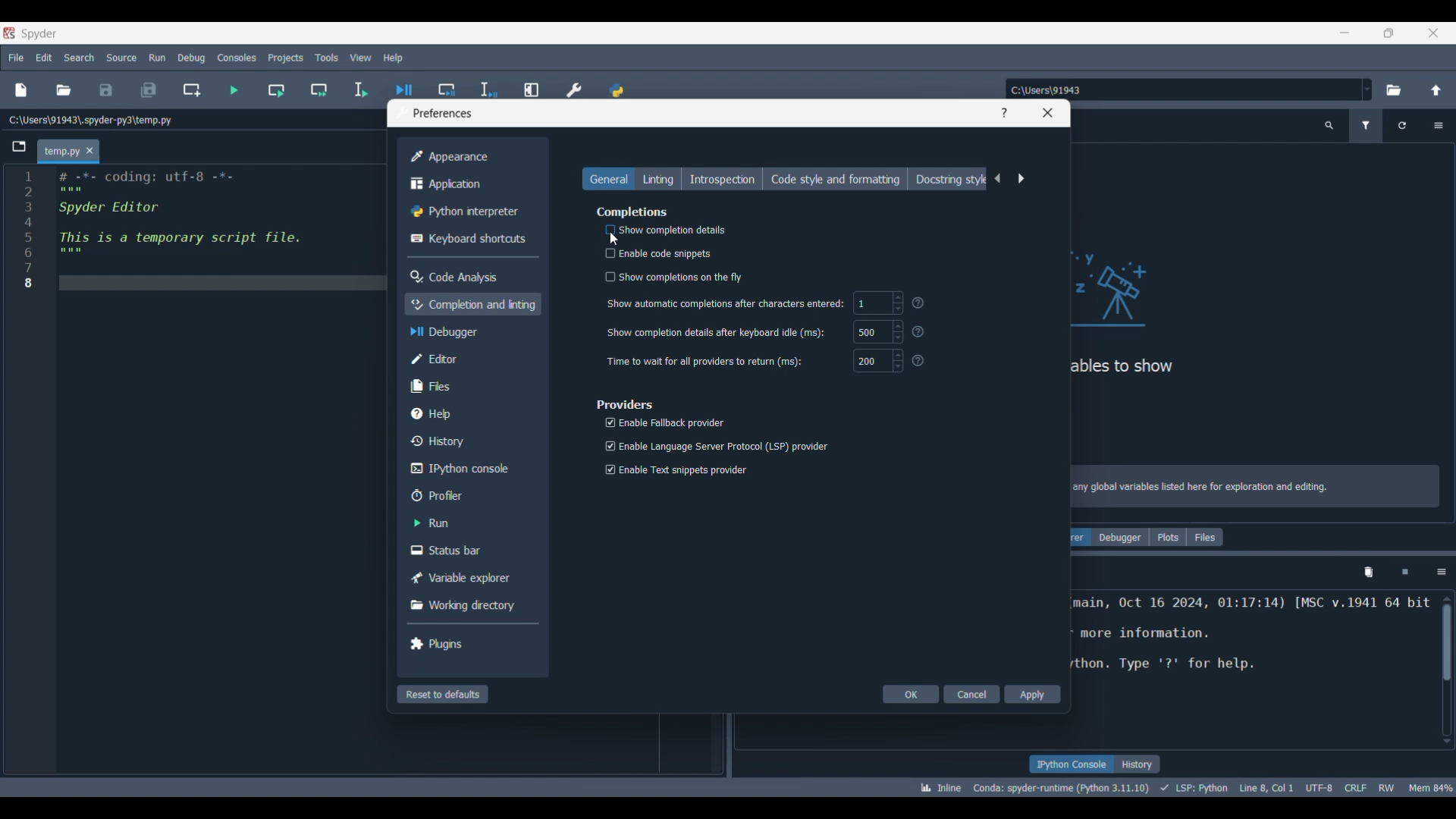  What do you see at coordinates (1033, 694) in the screenshot?
I see `Apply` at bounding box center [1033, 694].